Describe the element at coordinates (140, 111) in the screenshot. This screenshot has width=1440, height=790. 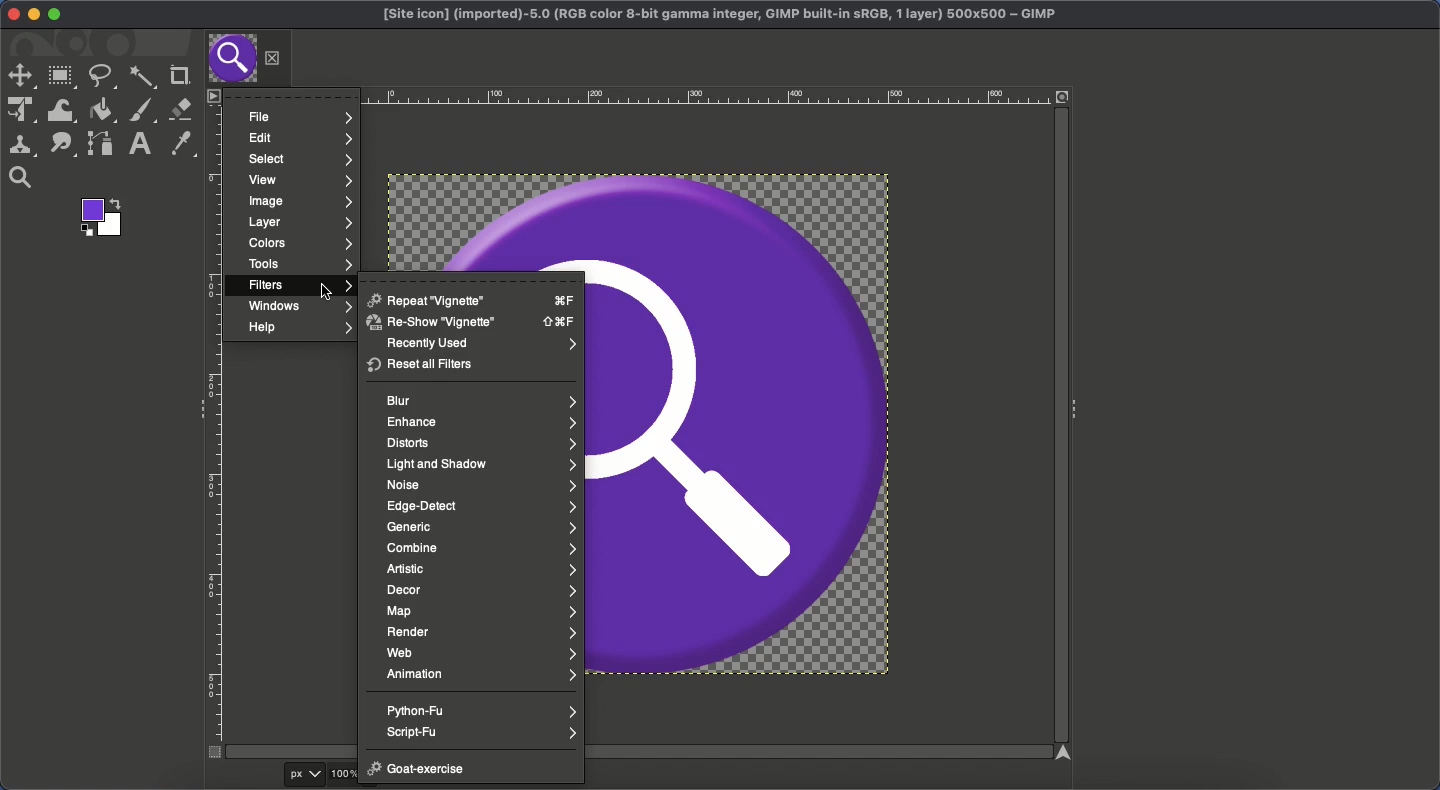
I see `Paint` at that location.